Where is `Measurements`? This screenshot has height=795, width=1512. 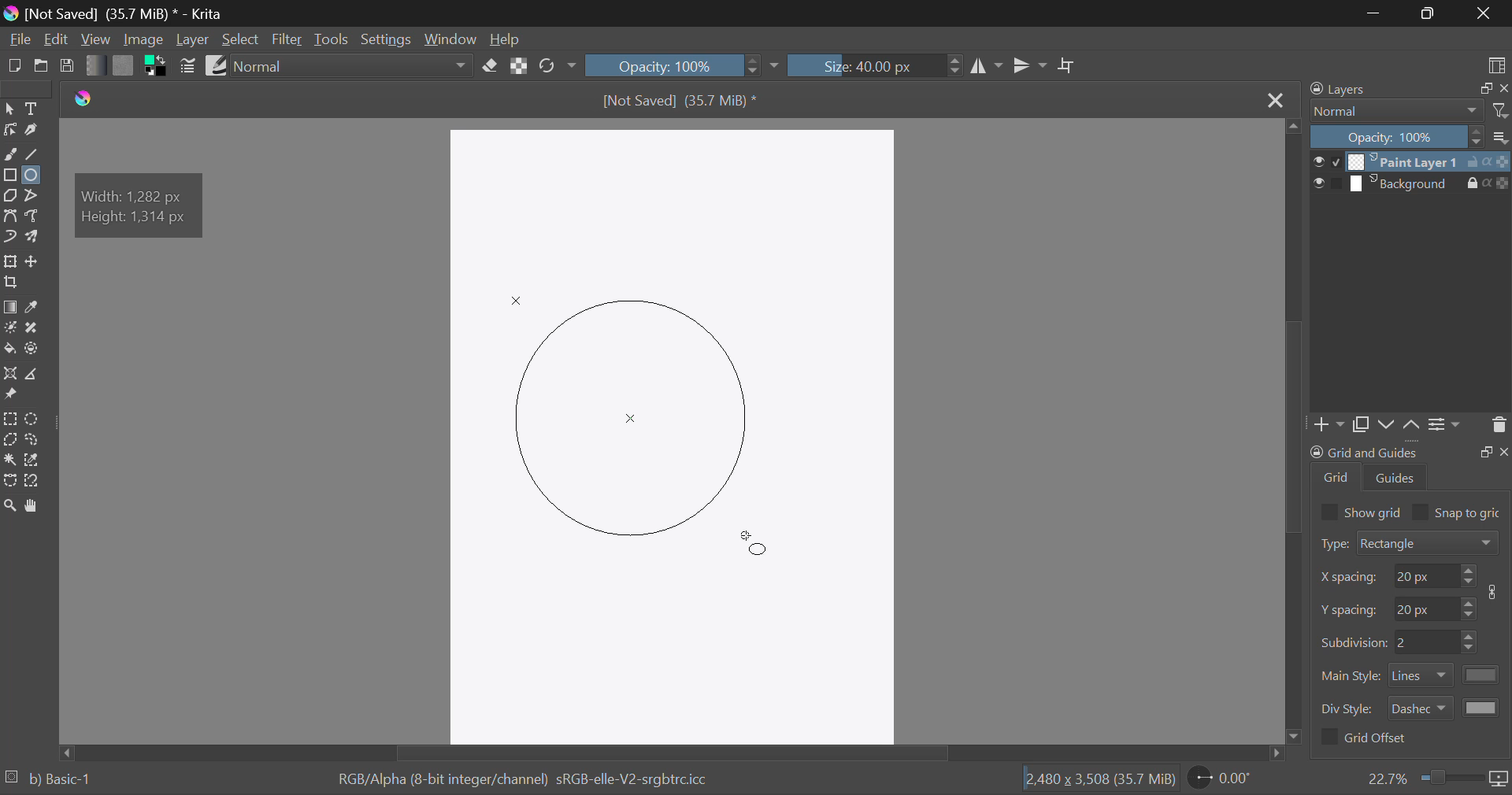
Measurements is located at coordinates (34, 373).